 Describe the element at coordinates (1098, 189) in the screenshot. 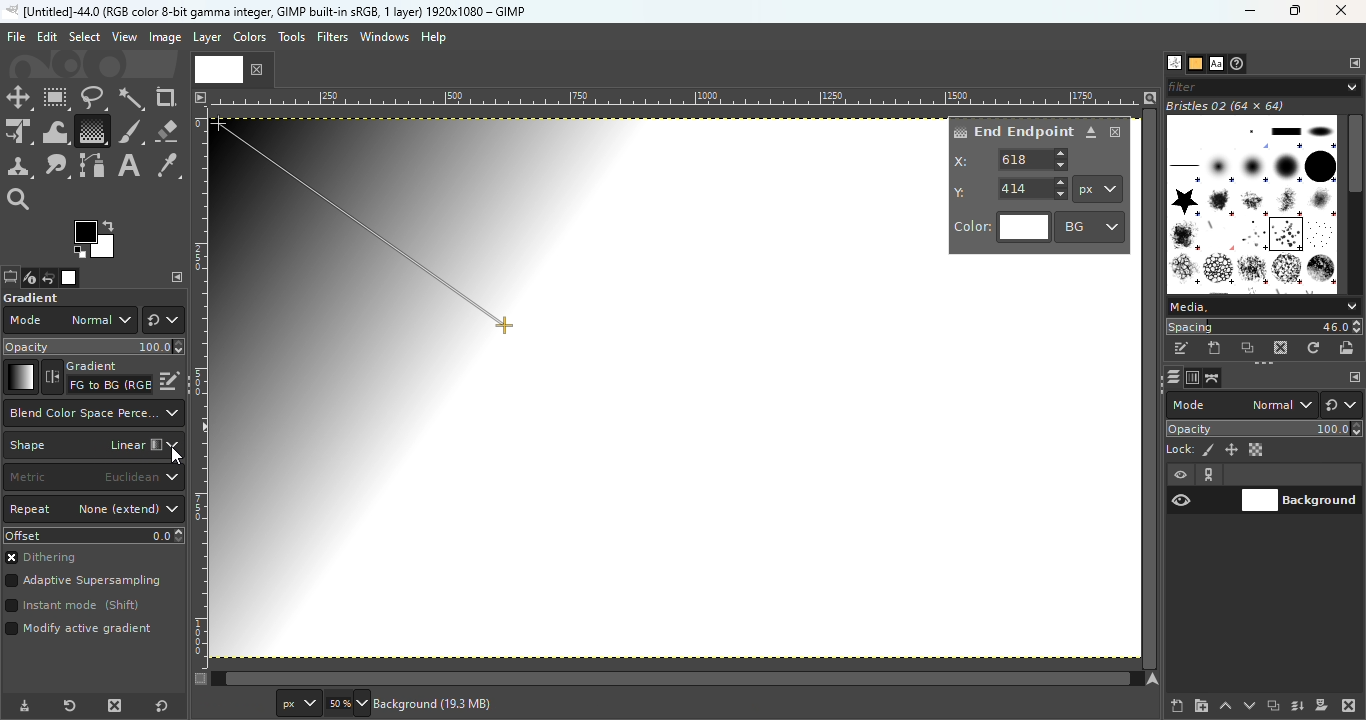

I see `Ruler measurement` at that location.